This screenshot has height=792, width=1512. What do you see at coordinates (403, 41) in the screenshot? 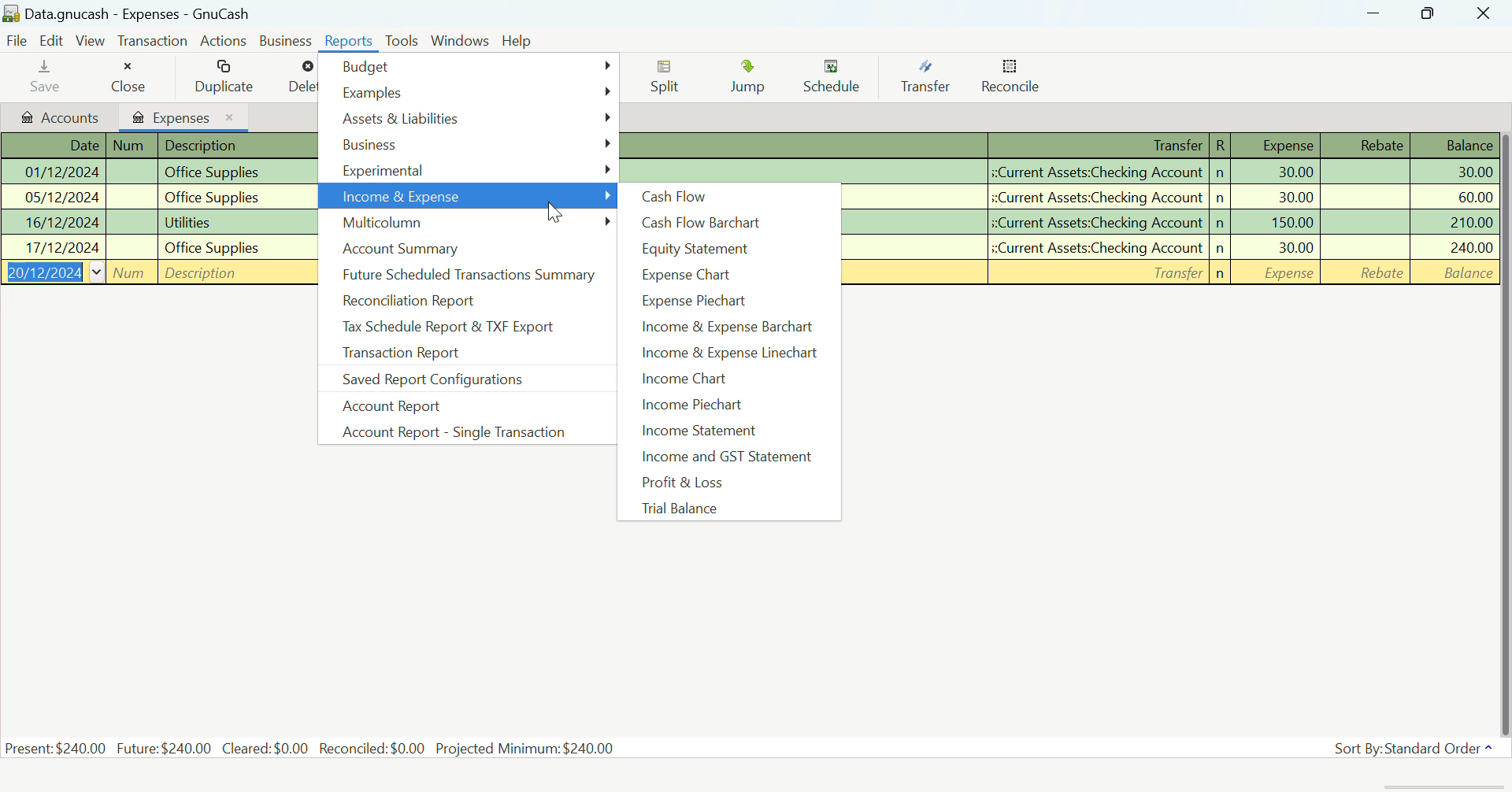
I see `Tools` at bounding box center [403, 41].